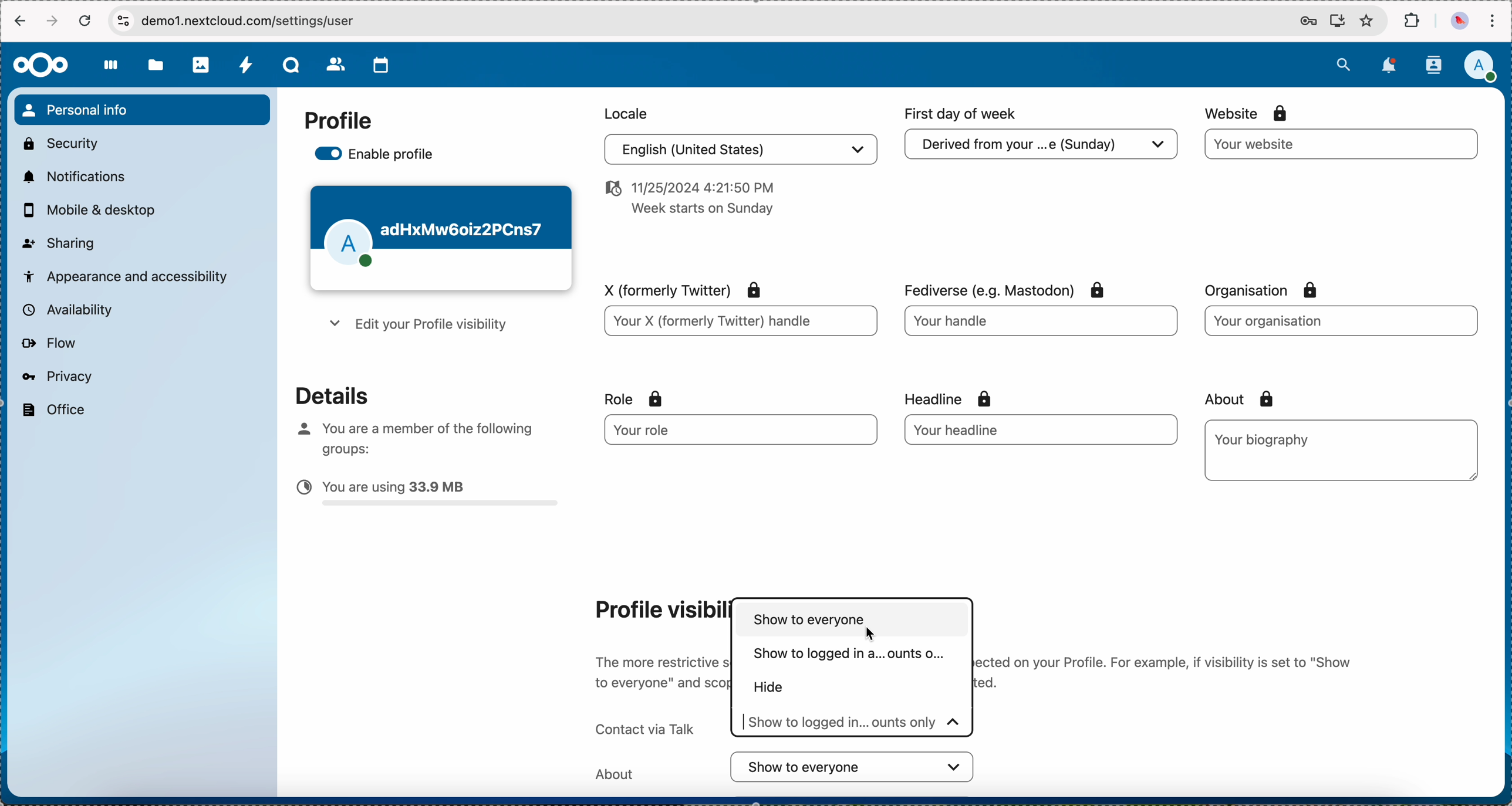 The width and height of the screenshot is (1512, 806). I want to click on your X, so click(740, 323).